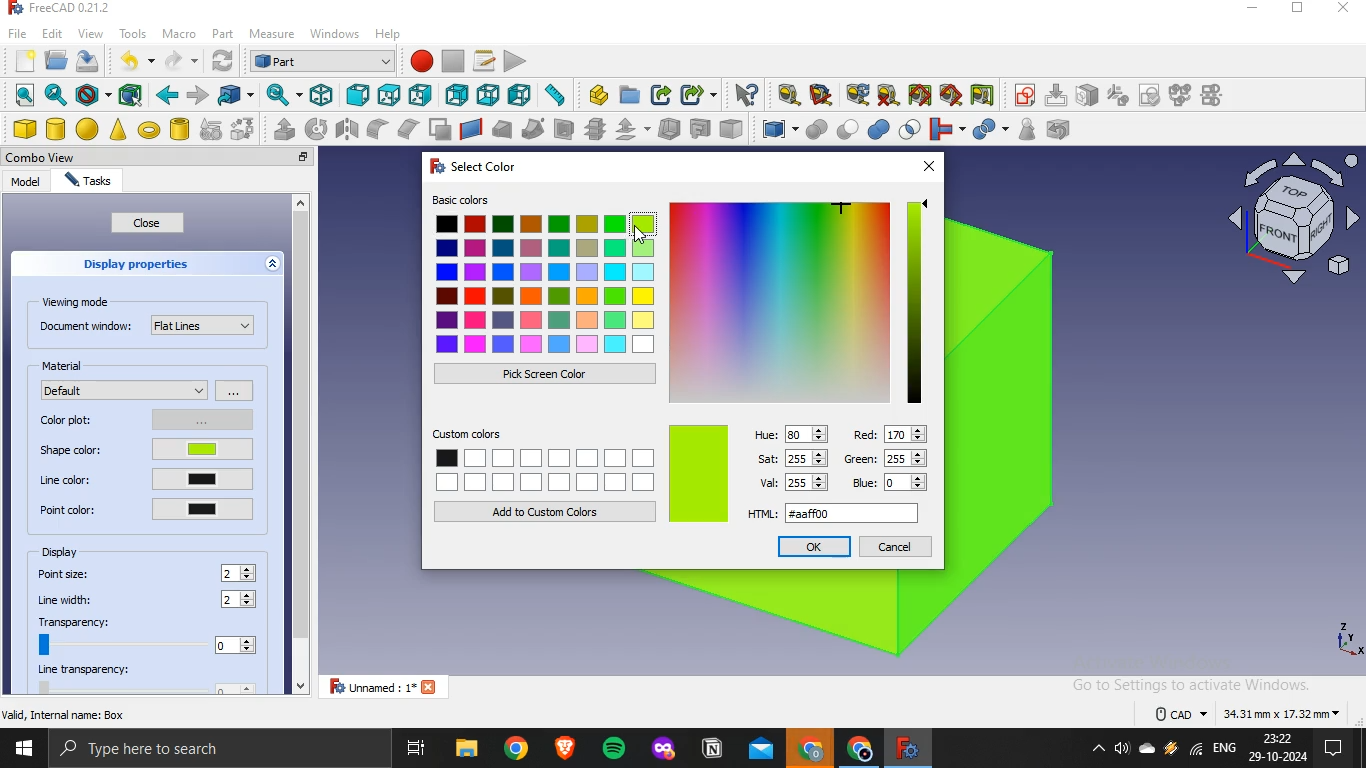  I want to click on notion, so click(713, 750).